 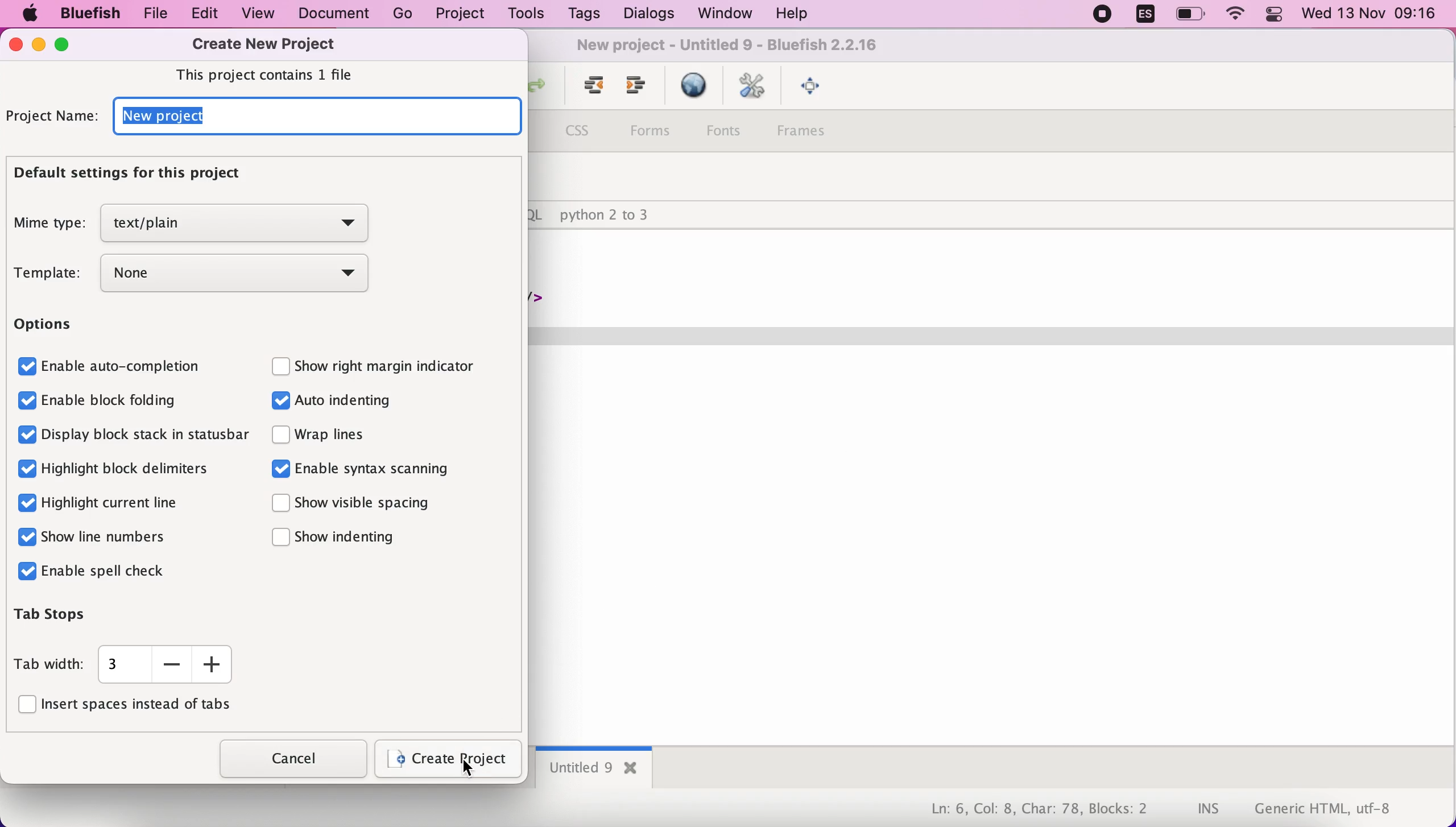 I want to click on cursor, so click(x=473, y=768).